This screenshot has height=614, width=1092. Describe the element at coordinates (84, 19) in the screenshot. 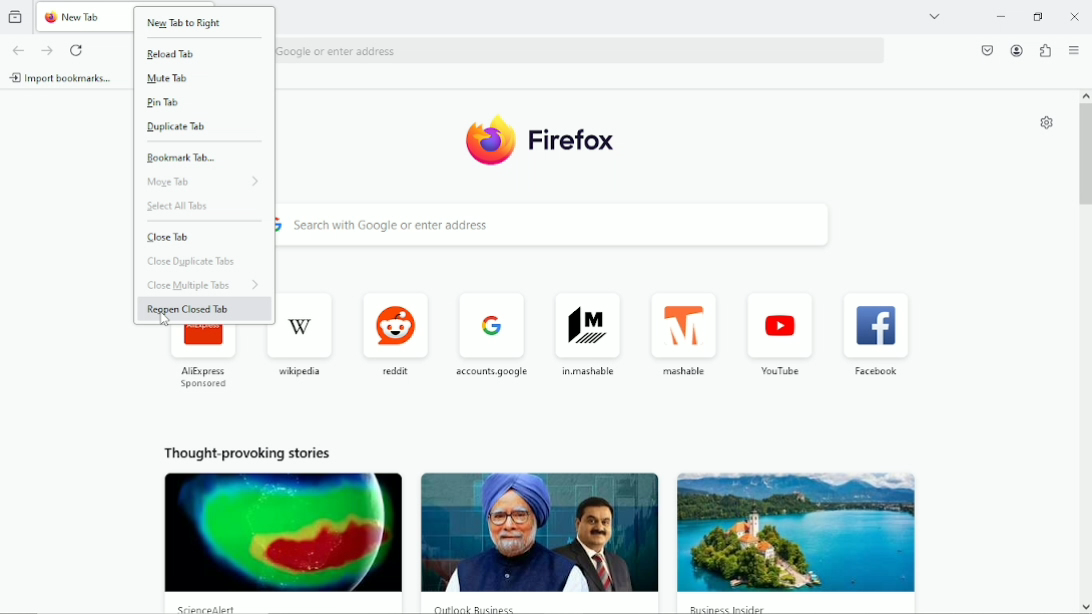

I see `current tab` at that location.